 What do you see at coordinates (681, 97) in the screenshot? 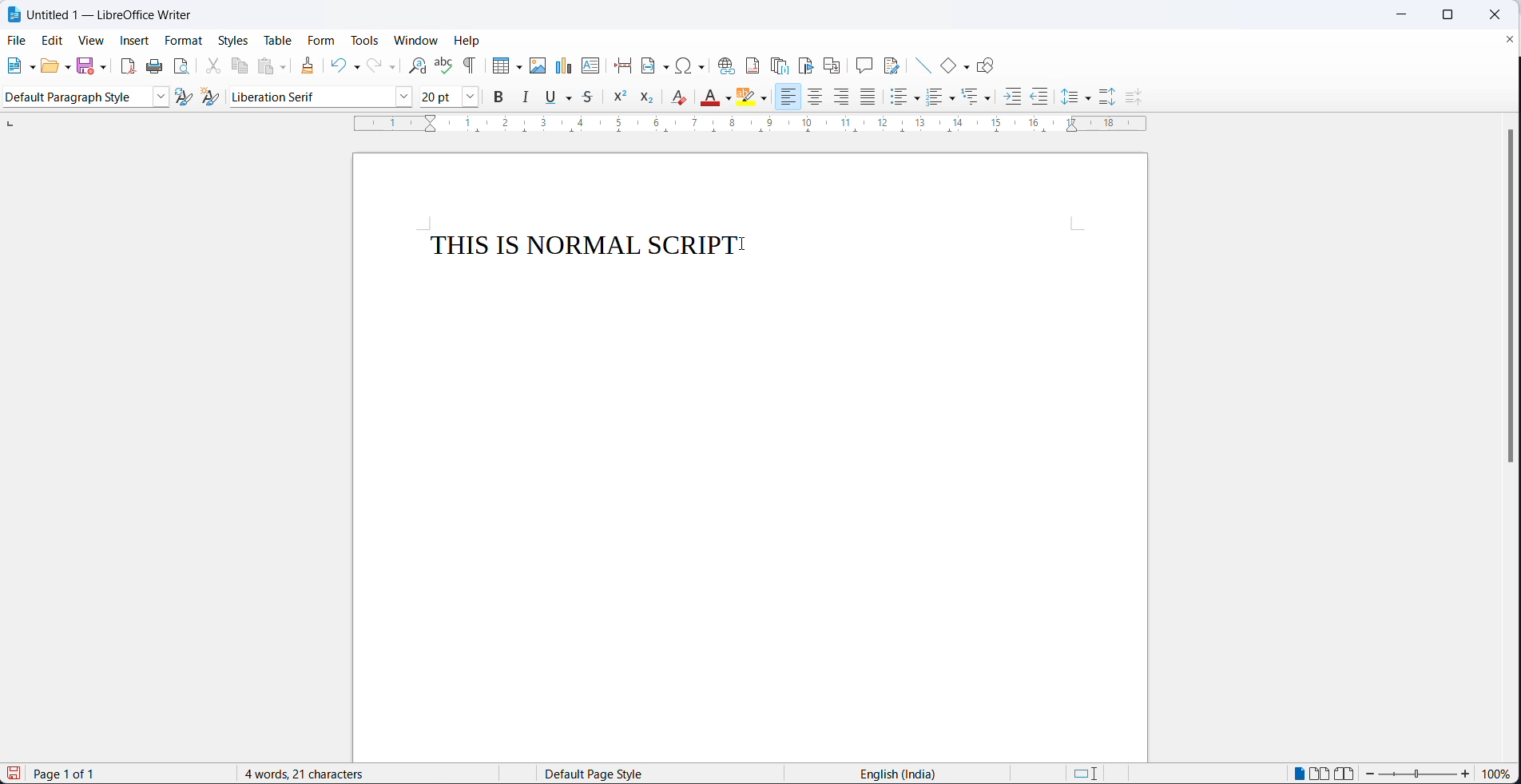
I see `clear direct formatting ` at bounding box center [681, 97].